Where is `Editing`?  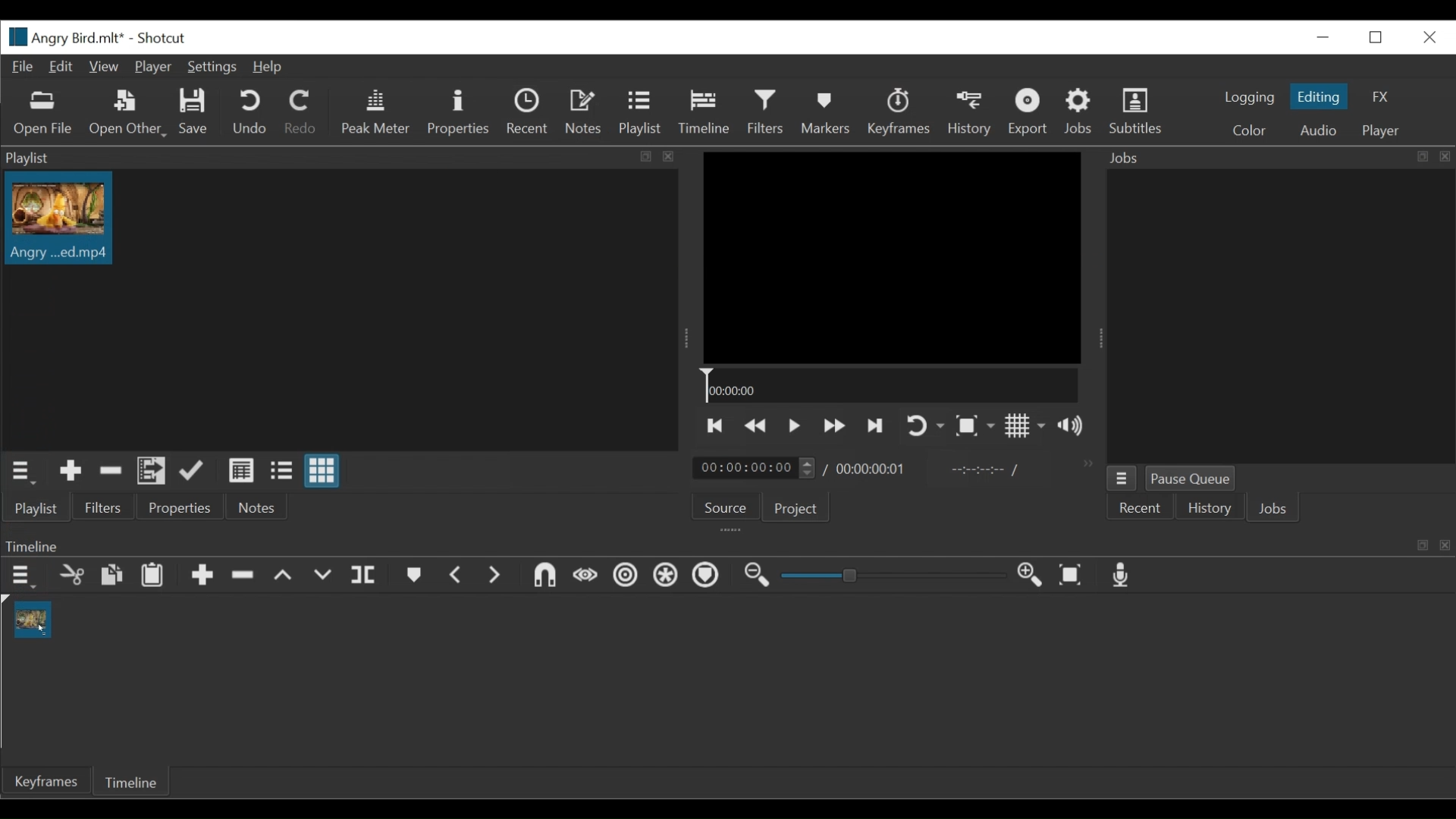 Editing is located at coordinates (1321, 96).